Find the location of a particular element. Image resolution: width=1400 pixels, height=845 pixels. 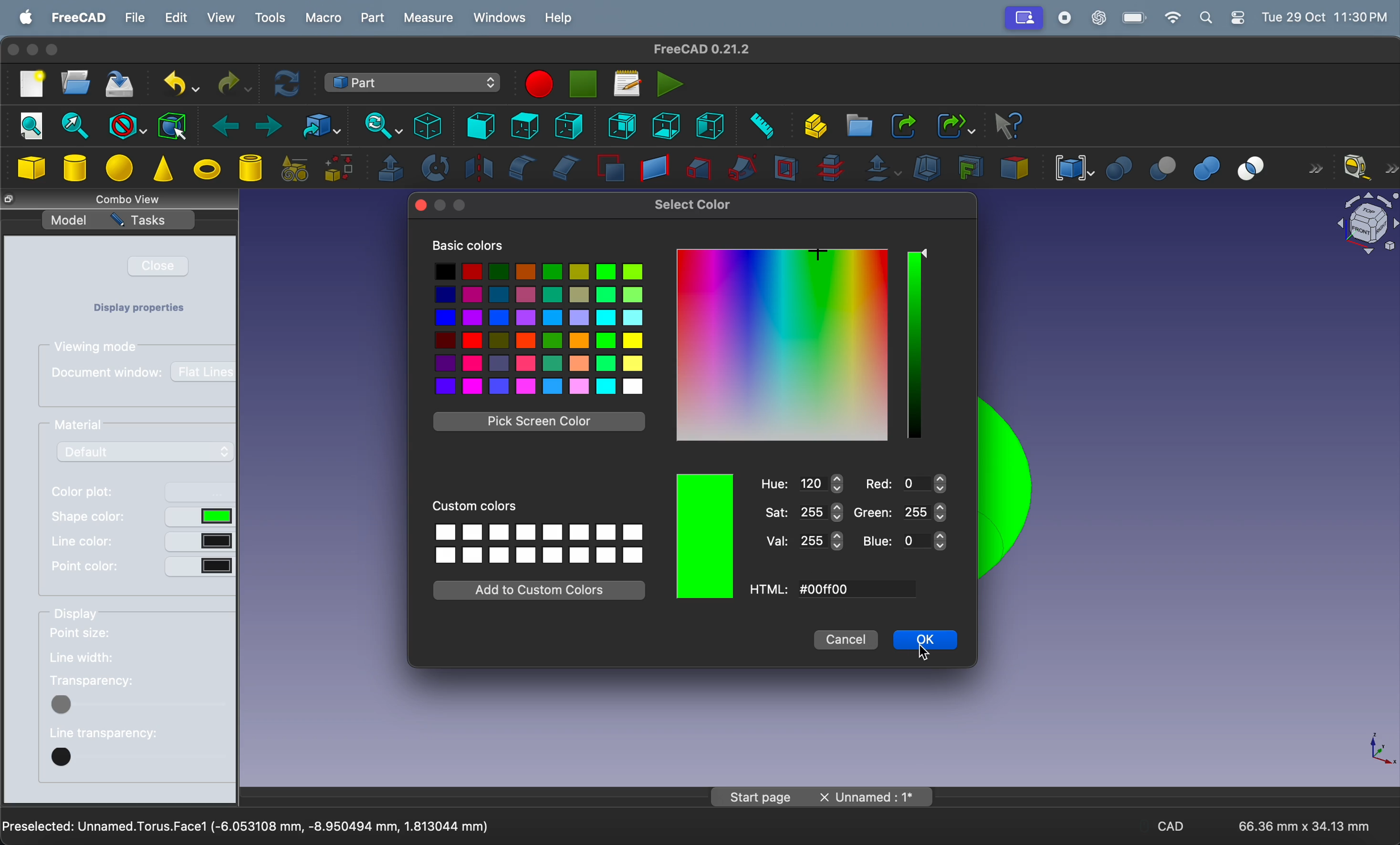

colors is located at coordinates (782, 345).